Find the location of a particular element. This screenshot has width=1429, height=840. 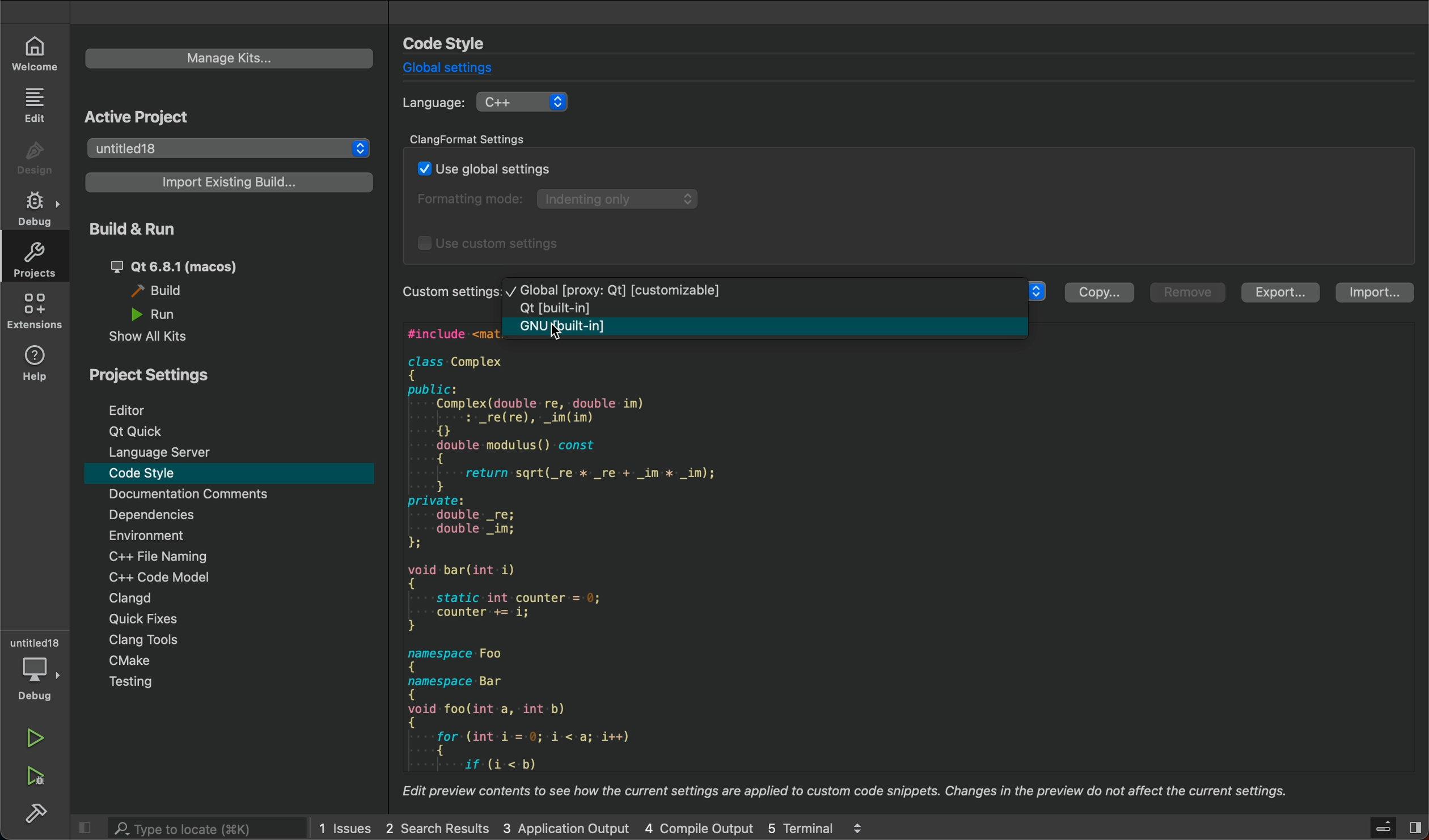

Untitled  is located at coordinates (33, 644).